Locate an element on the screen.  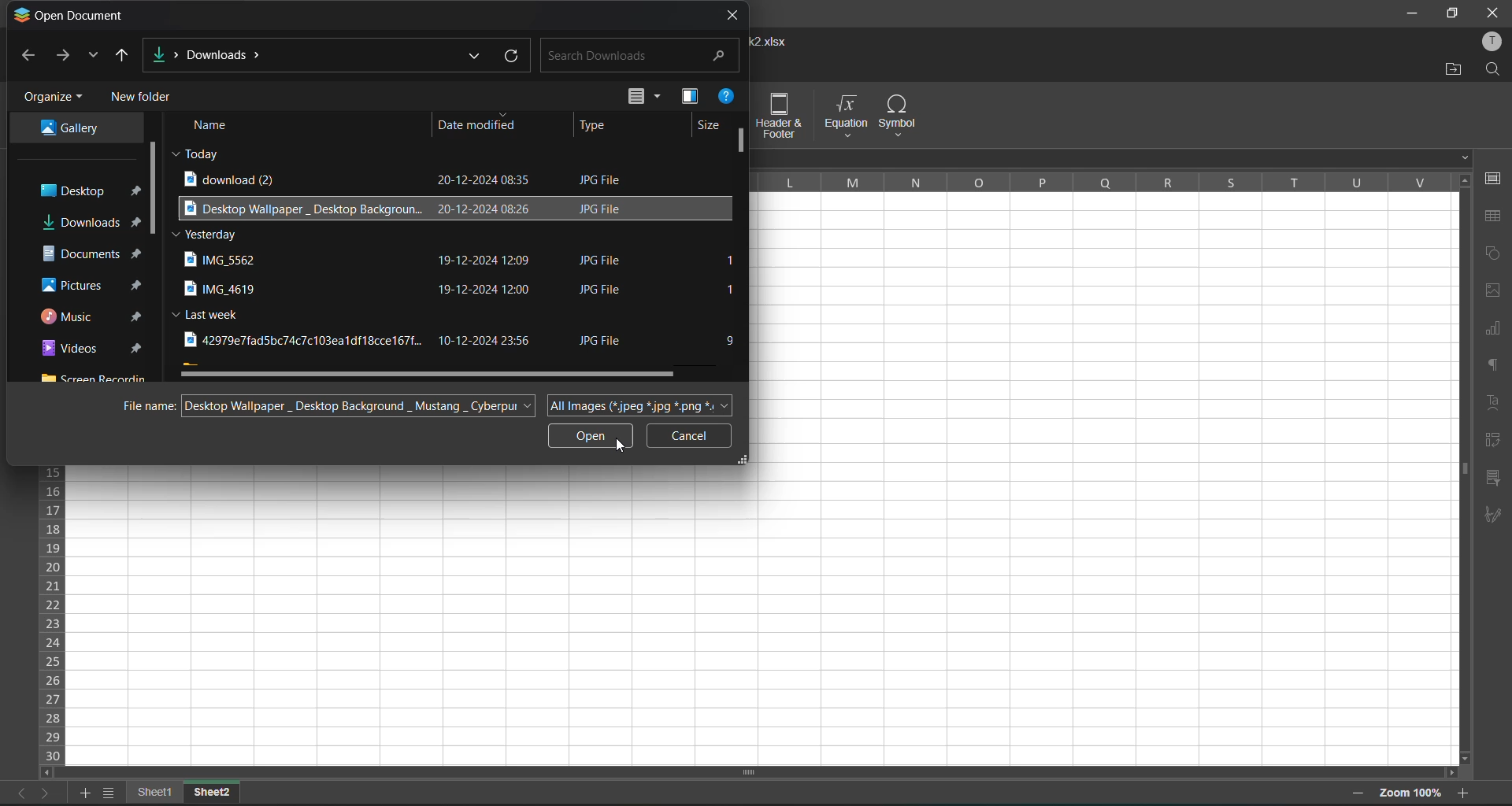
previous is located at coordinates (17, 793).